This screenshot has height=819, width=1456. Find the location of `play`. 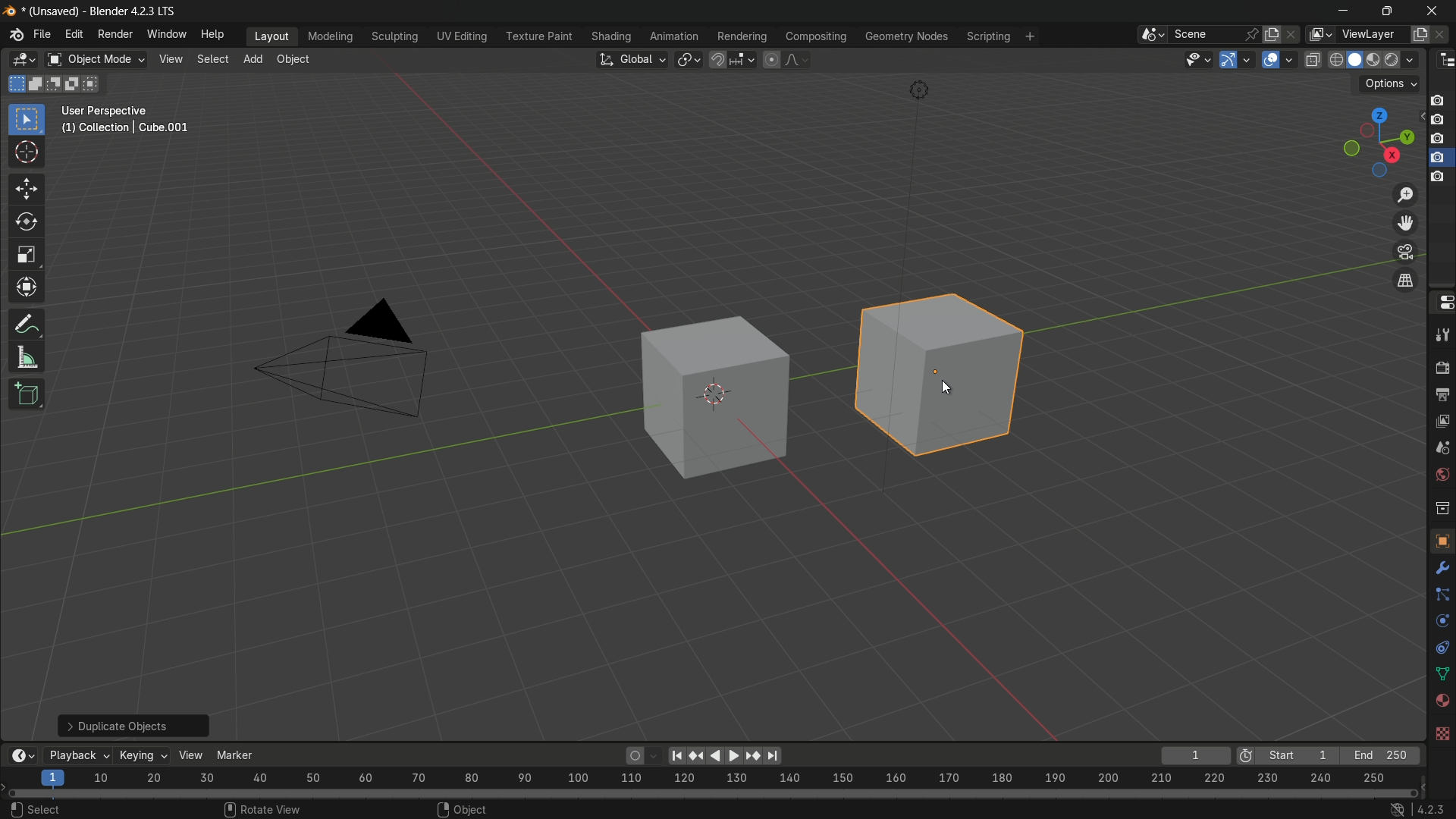

play is located at coordinates (723, 755).